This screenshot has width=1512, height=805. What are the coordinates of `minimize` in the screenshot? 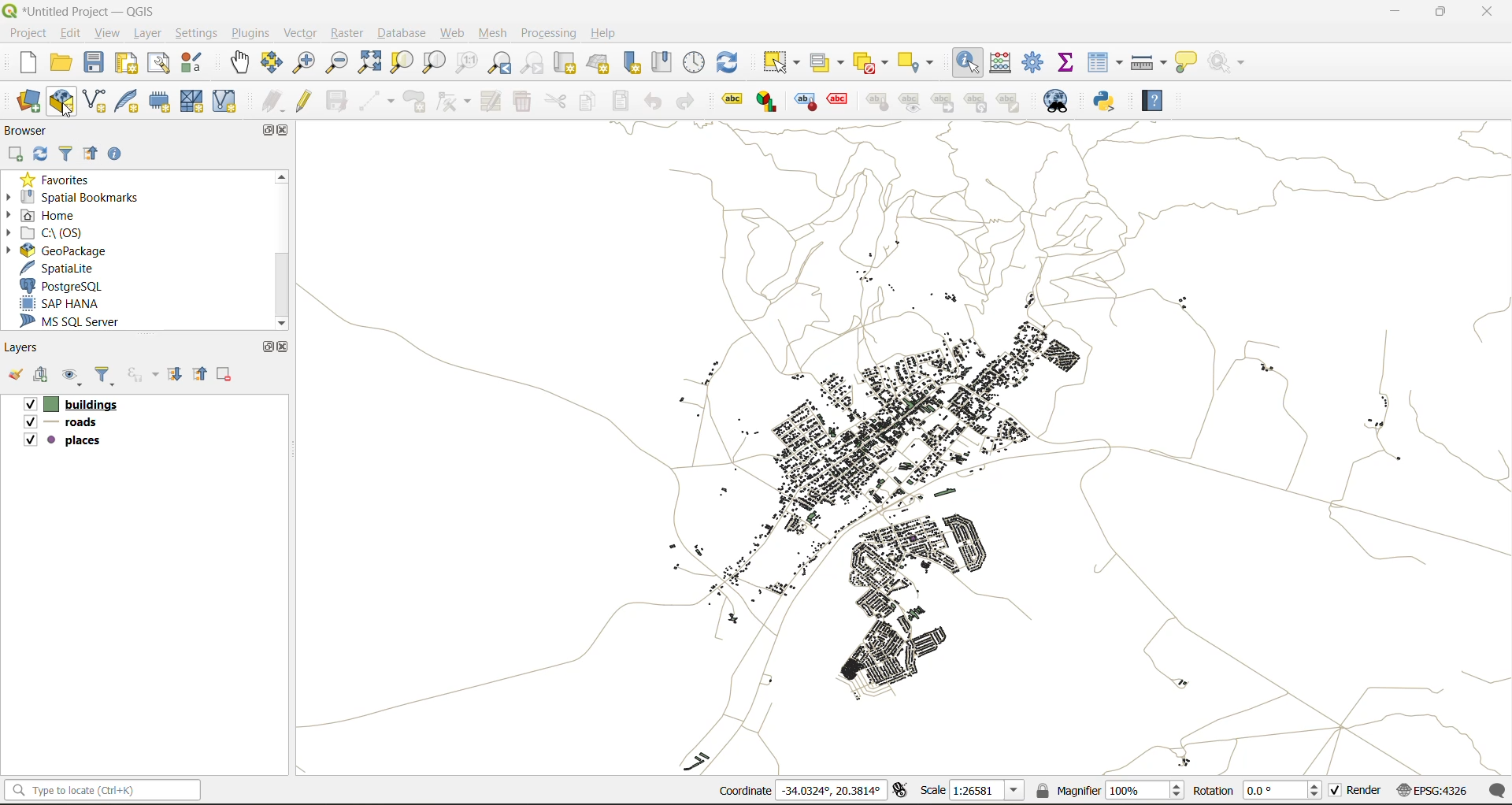 It's located at (1390, 14).